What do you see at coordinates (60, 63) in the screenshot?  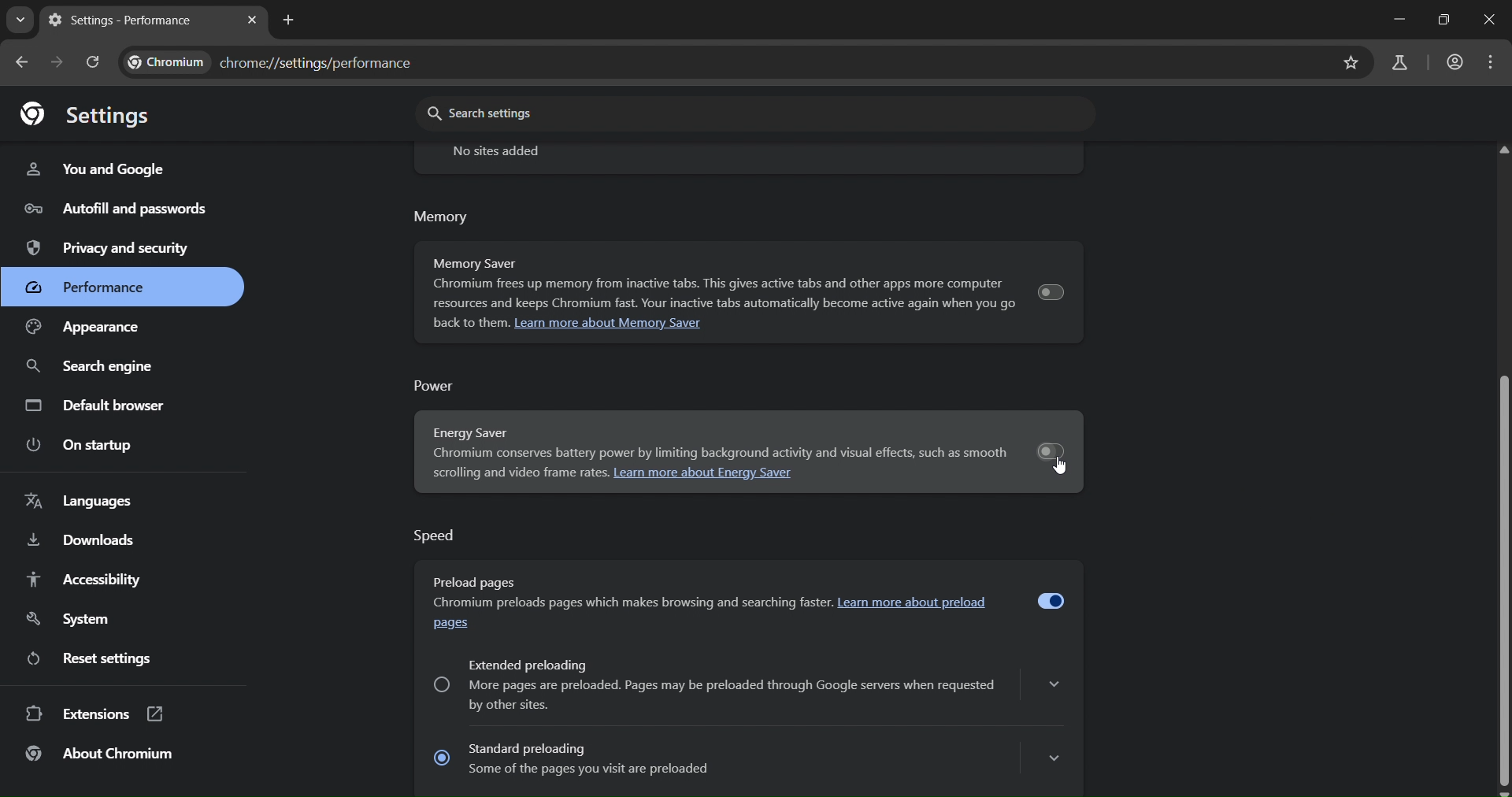 I see `go forward one page` at bounding box center [60, 63].